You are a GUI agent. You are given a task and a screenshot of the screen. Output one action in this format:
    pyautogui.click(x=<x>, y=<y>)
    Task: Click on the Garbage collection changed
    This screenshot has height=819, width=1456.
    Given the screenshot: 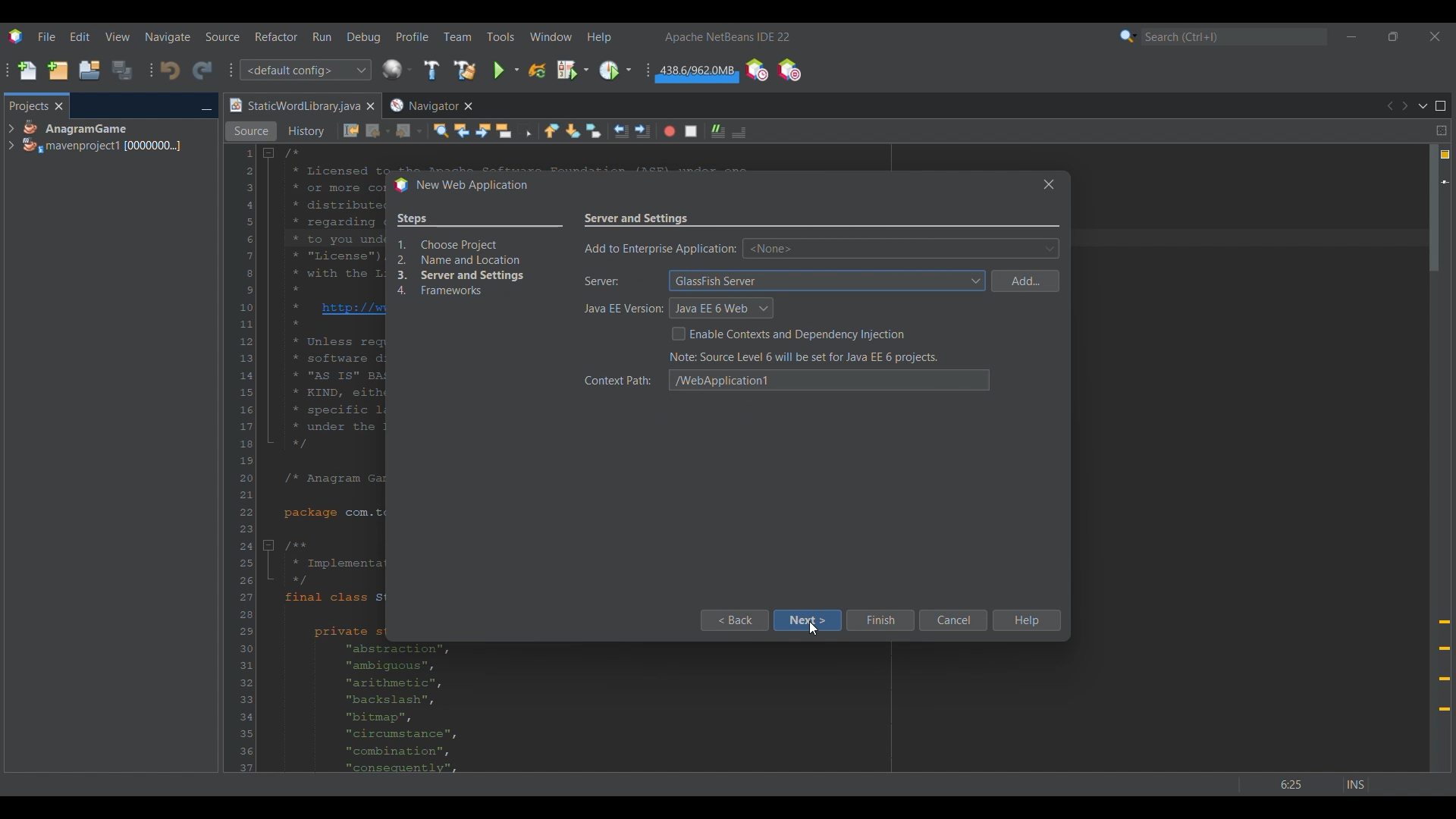 What is the action you would take?
    pyautogui.click(x=697, y=74)
    